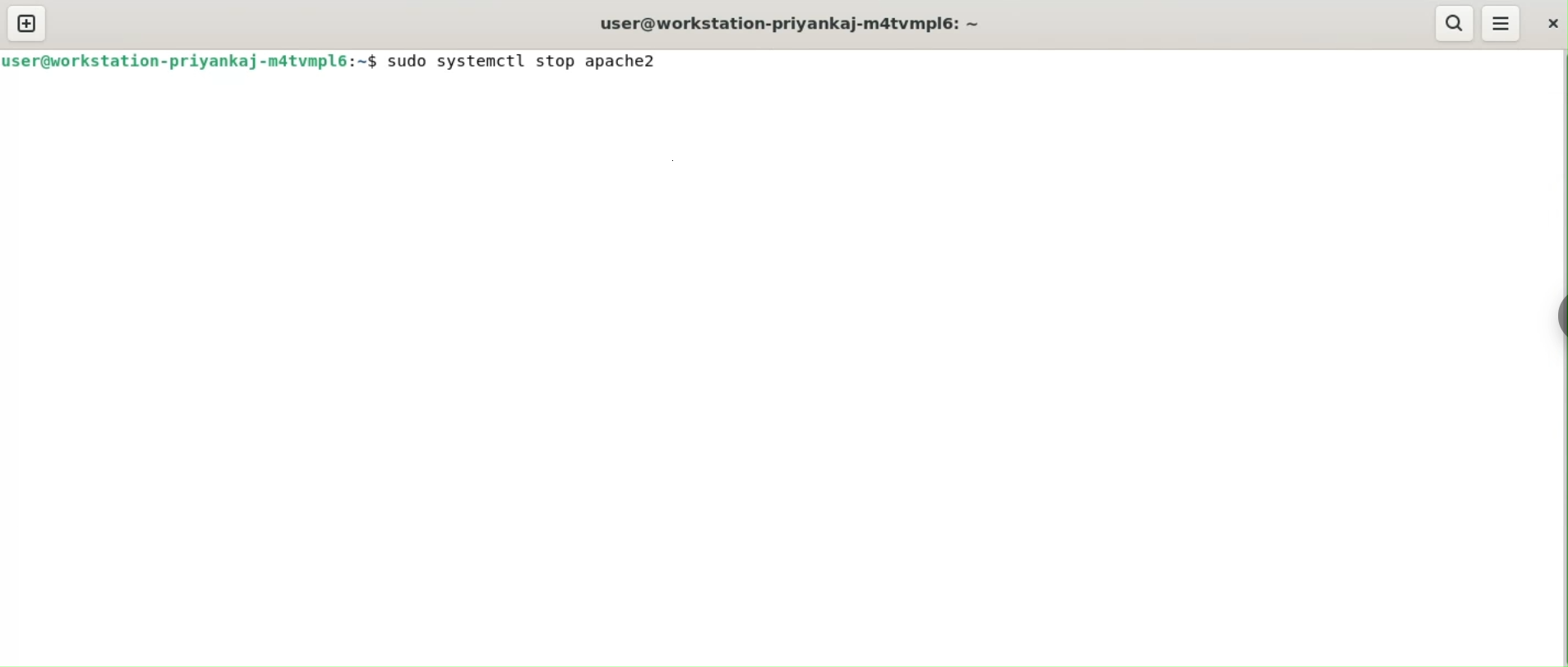 This screenshot has width=1568, height=667. I want to click on sudo systemctl stop apache2, so click(530, 60).